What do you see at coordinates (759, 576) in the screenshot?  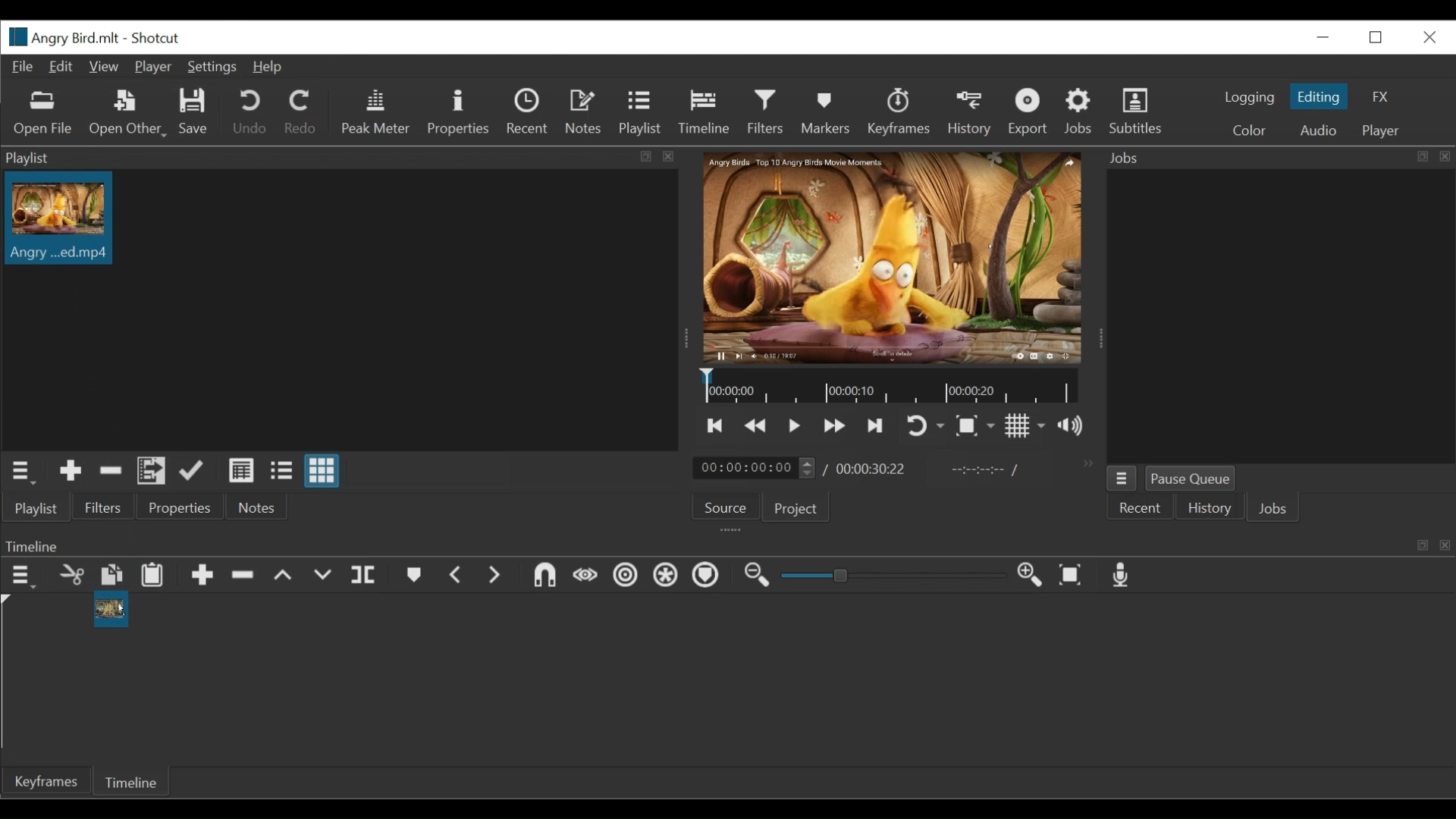 I see `zoom timeline out` at bounding box center [759, 576].